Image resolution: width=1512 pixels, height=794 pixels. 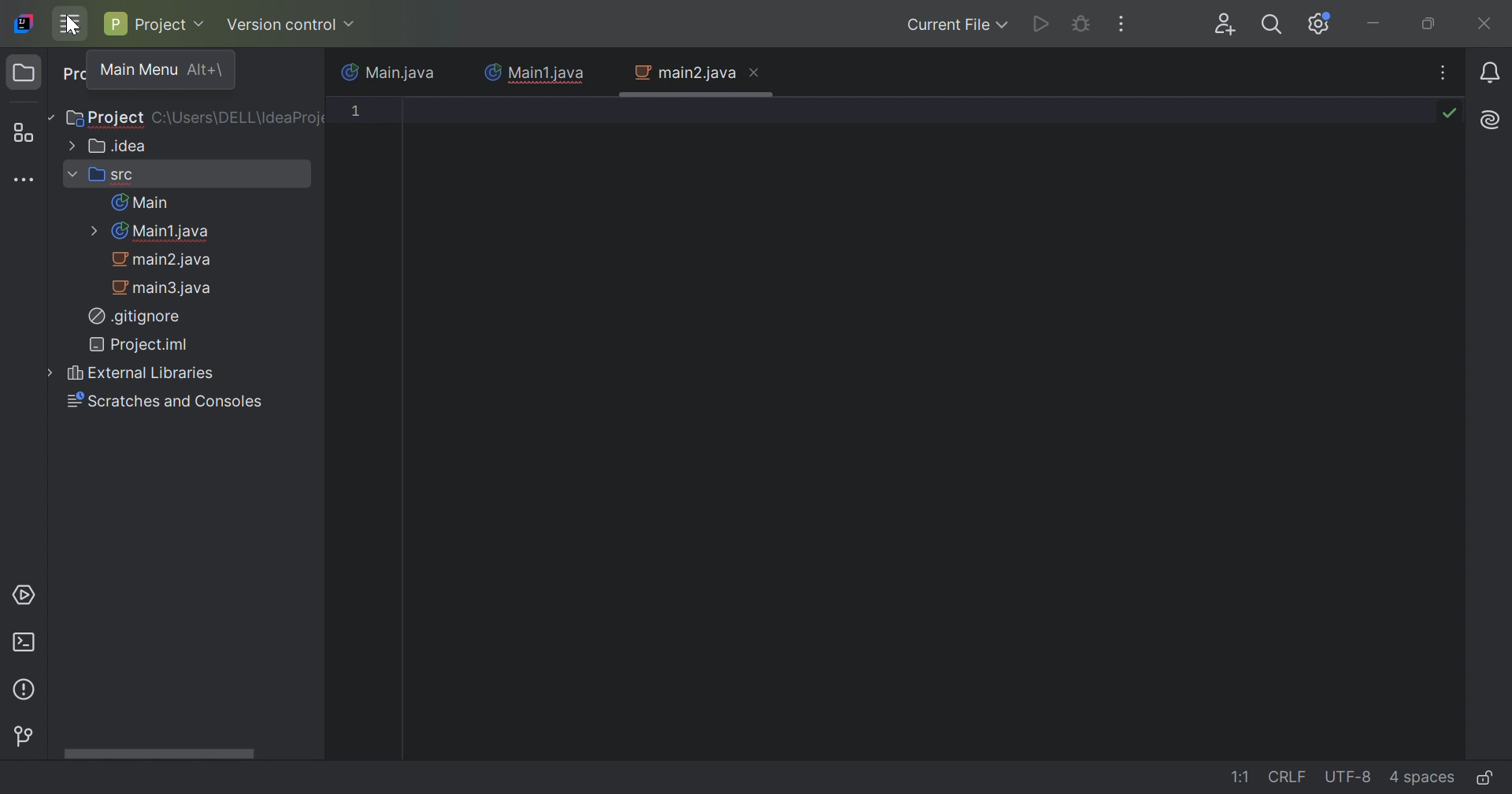 What do you see at coordinates (140, 202) in the screenshot?
I see `Main` at bounding box center [140, 202].